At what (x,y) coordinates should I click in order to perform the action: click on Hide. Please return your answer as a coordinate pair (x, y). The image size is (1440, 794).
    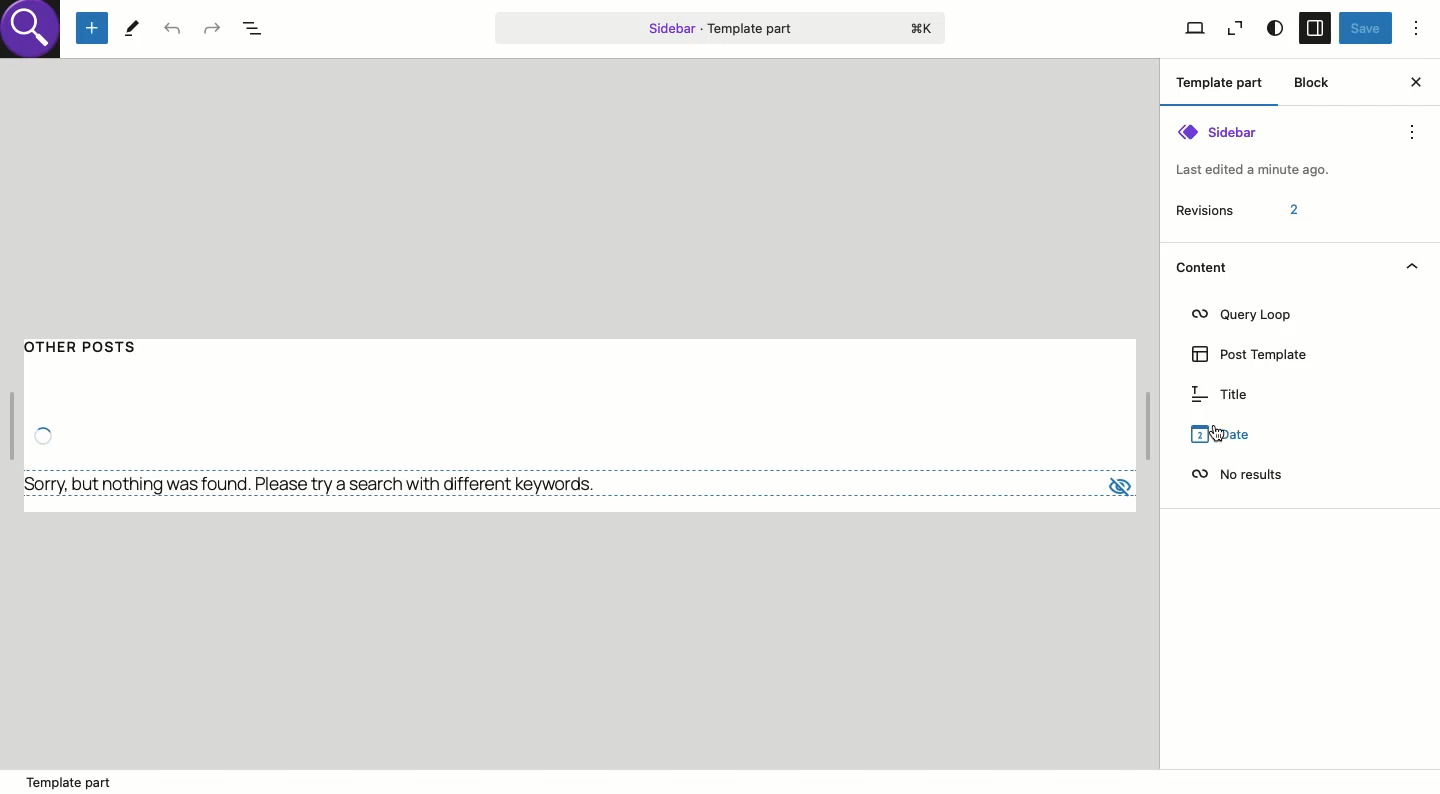
    Looking at the image, I should click on (1411, 266).